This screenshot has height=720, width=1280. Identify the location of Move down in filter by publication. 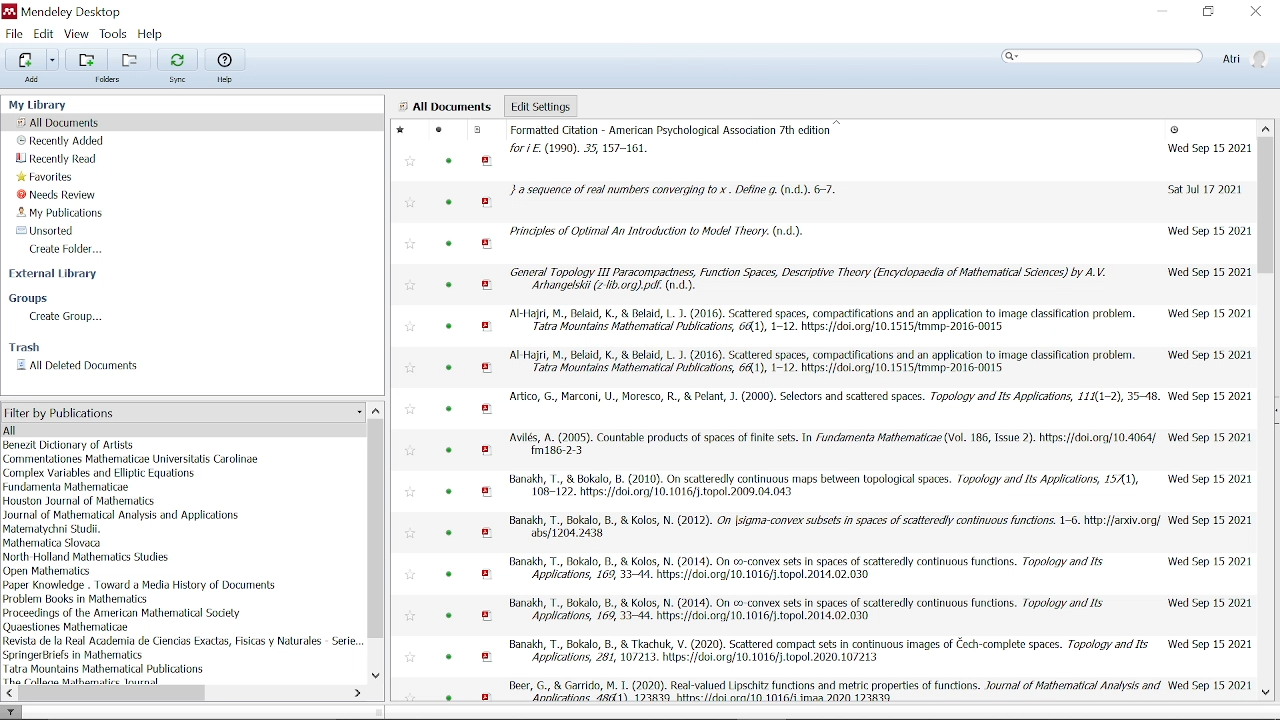
(376, 677).